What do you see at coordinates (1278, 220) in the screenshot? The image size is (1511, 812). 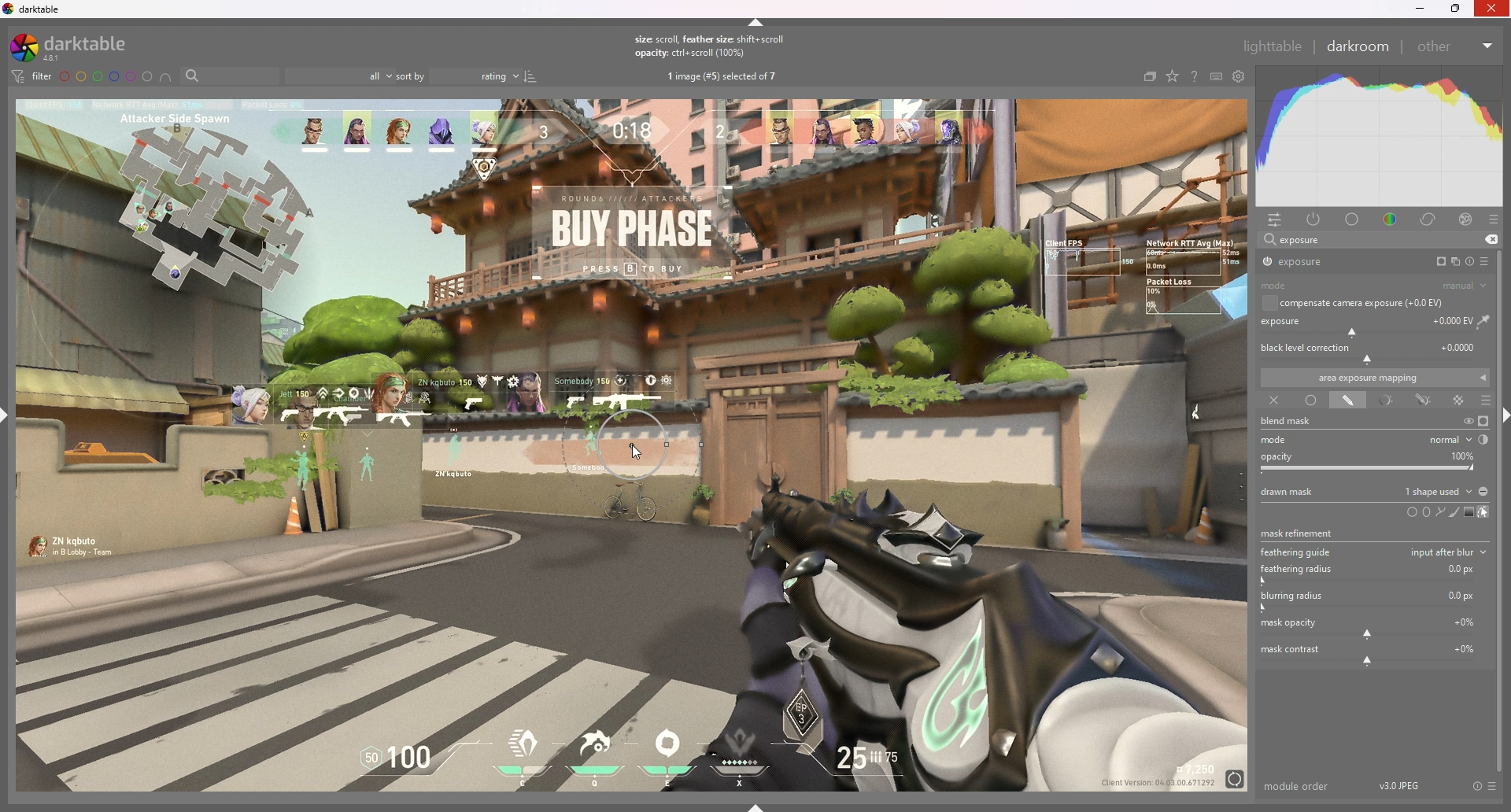 I see `quick access panel` at bounding box center [1278, 220].